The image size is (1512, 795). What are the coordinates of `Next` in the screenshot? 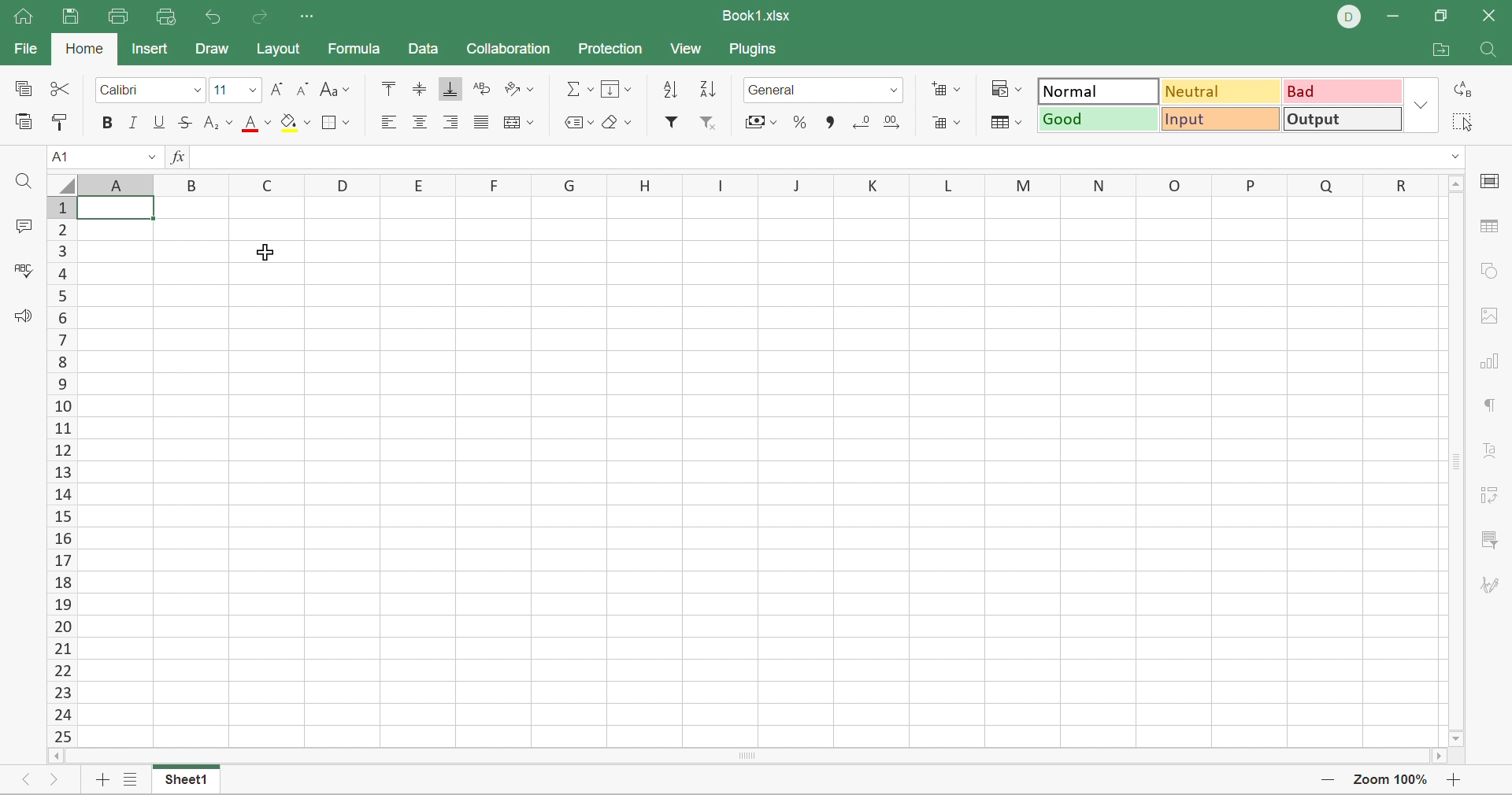 It's located at (51, 782).